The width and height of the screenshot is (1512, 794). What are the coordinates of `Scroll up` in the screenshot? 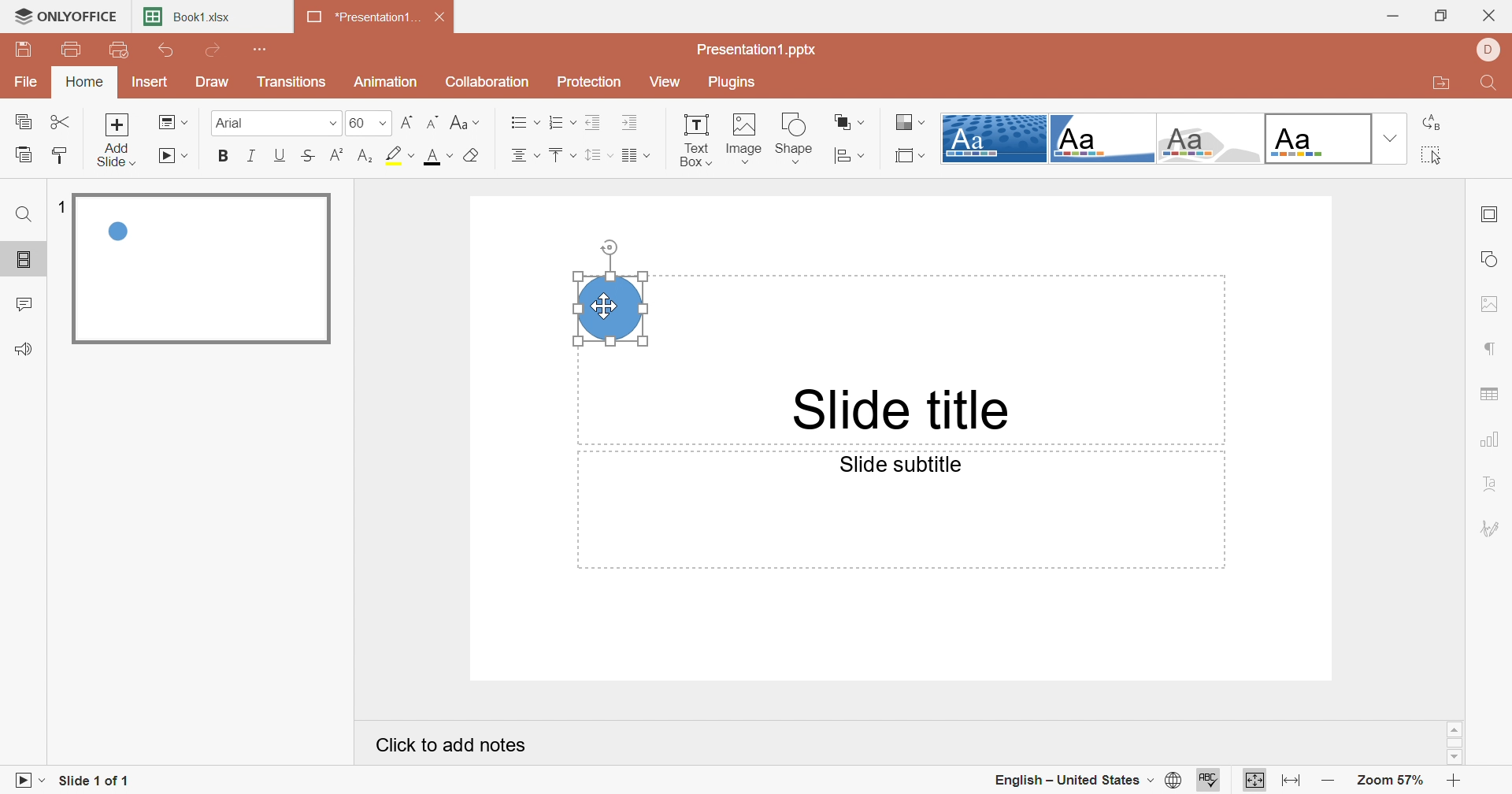 It's located at (1455, 729).